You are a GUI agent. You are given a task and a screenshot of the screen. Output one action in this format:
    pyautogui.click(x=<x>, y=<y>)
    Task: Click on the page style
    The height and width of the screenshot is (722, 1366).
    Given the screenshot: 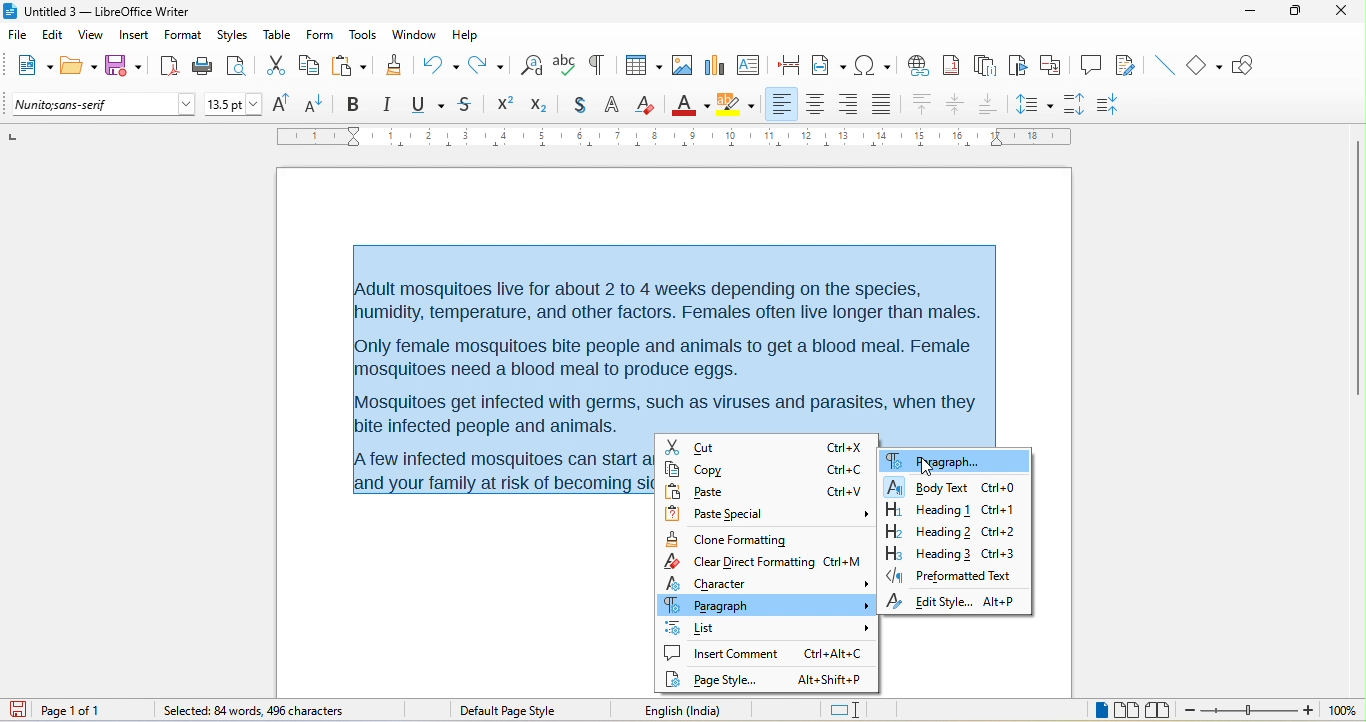 What is the action you would take?
    pyautogui.click(x=718, y=680)
    